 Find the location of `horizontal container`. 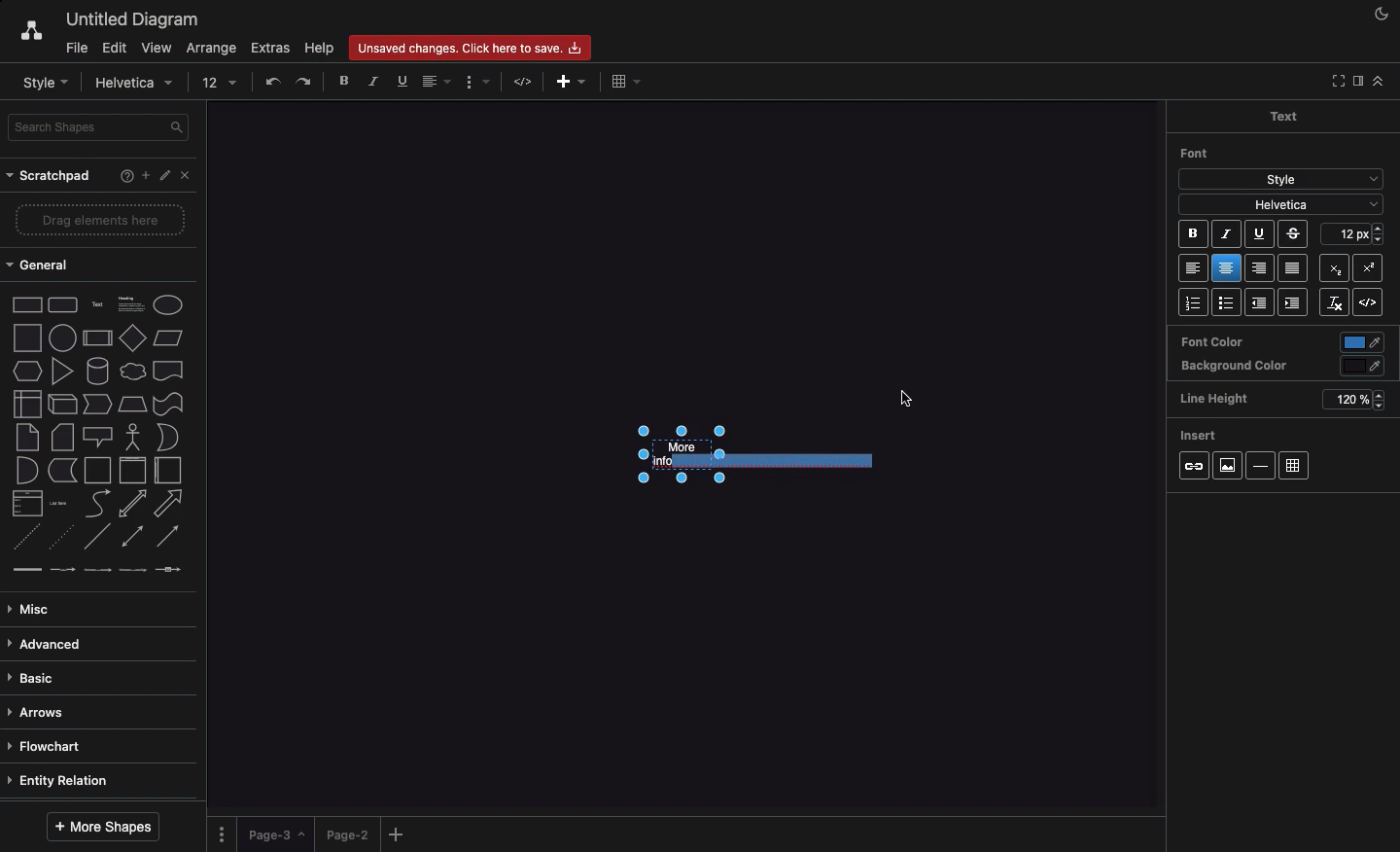

horizontal container is located at coordinates (168, 470).